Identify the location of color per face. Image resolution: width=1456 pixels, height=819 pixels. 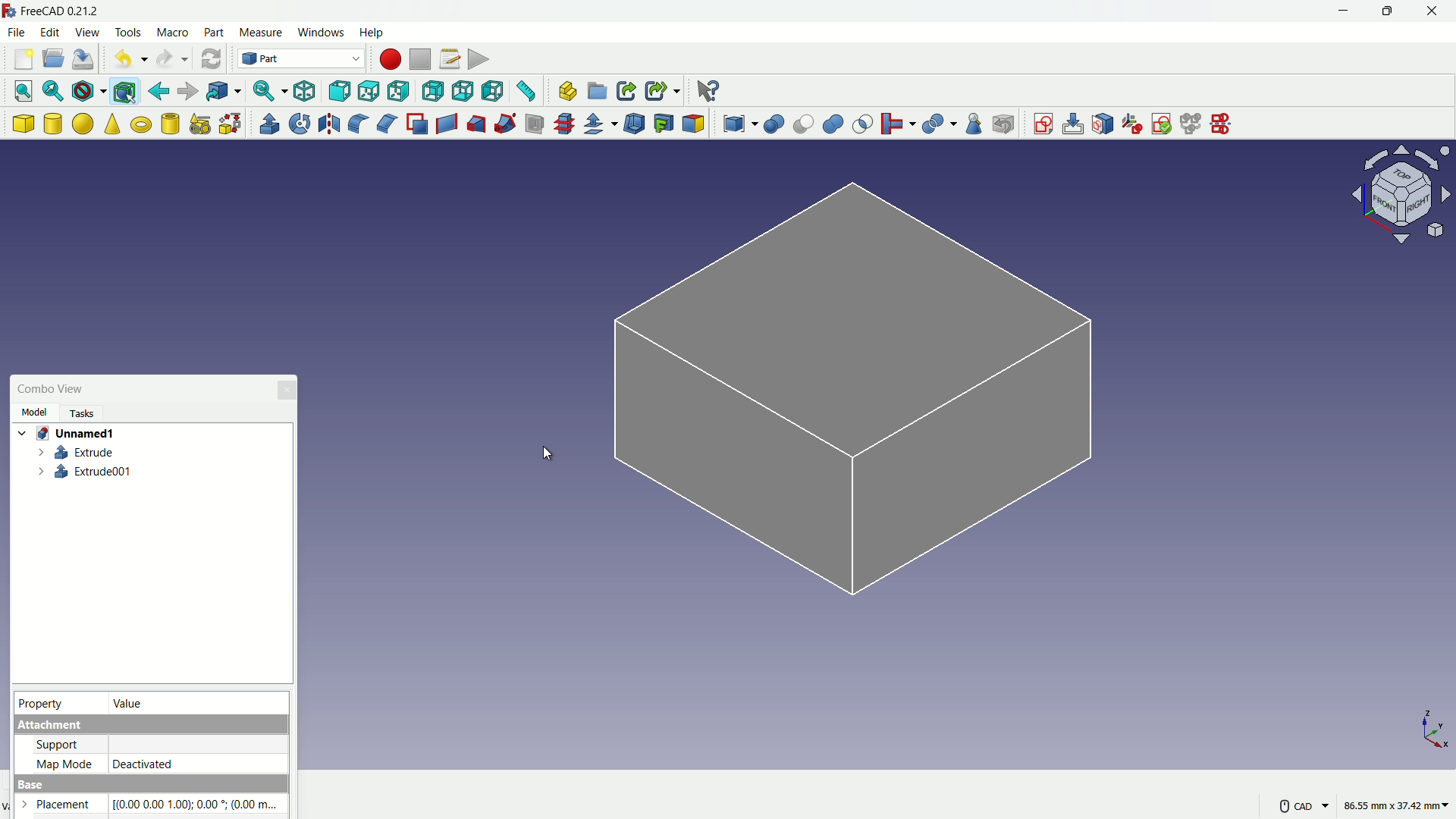
(695, 124).